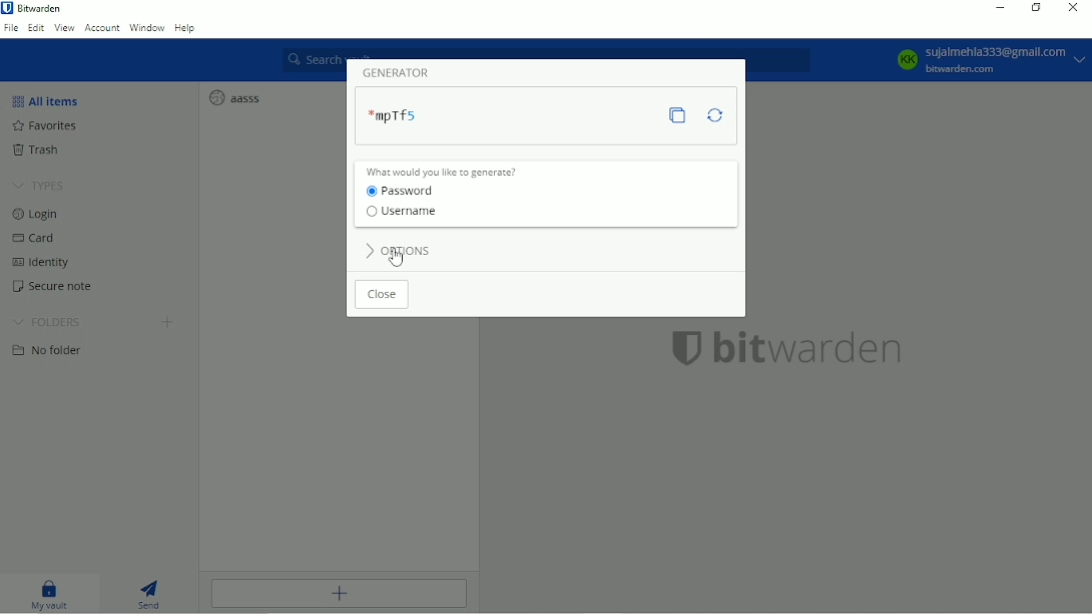  What do you see at coordinates (40, 237) in the screenshot?
I see `Card` at bounding box center [40, 237].